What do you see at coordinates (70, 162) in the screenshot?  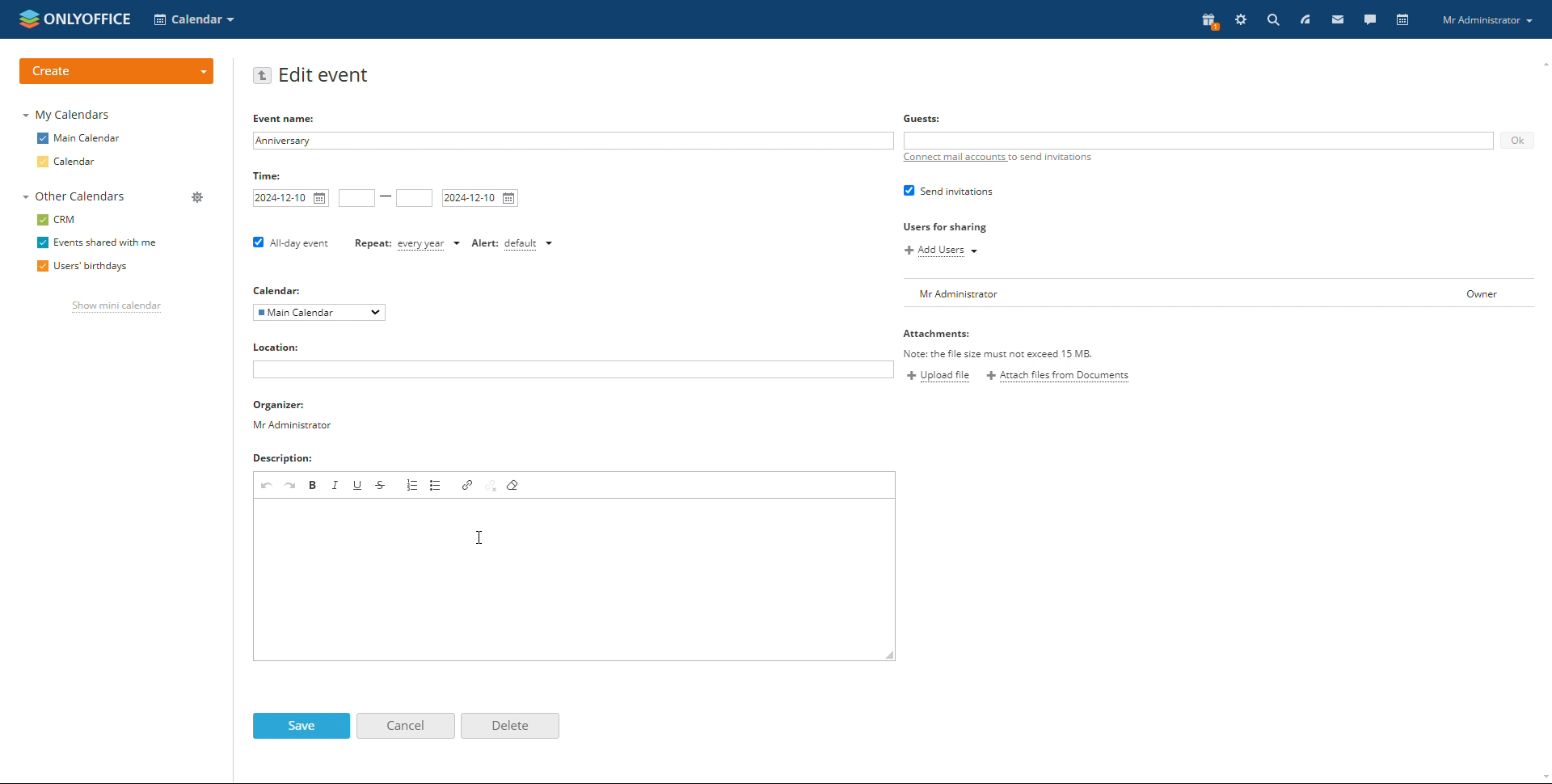 I see `calendar` at bounding box center [70, 162].